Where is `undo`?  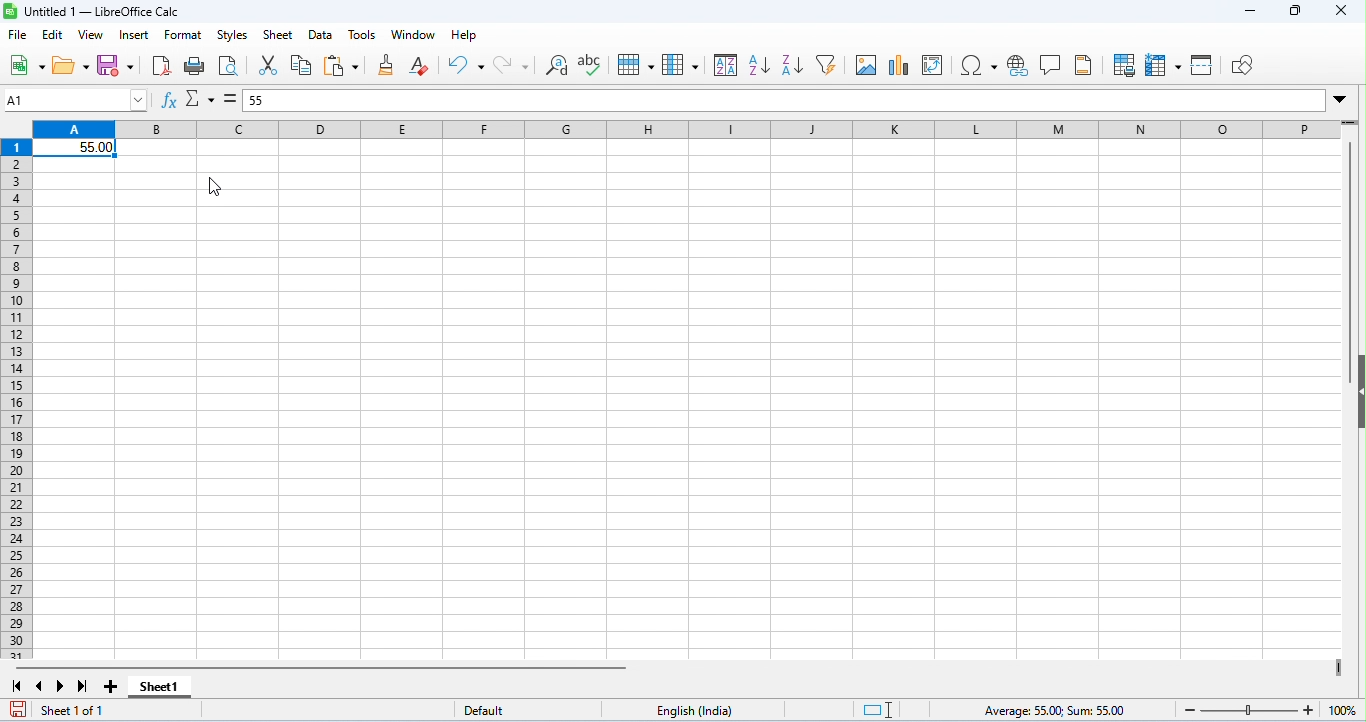
undo is located at coordinates (465, 65).